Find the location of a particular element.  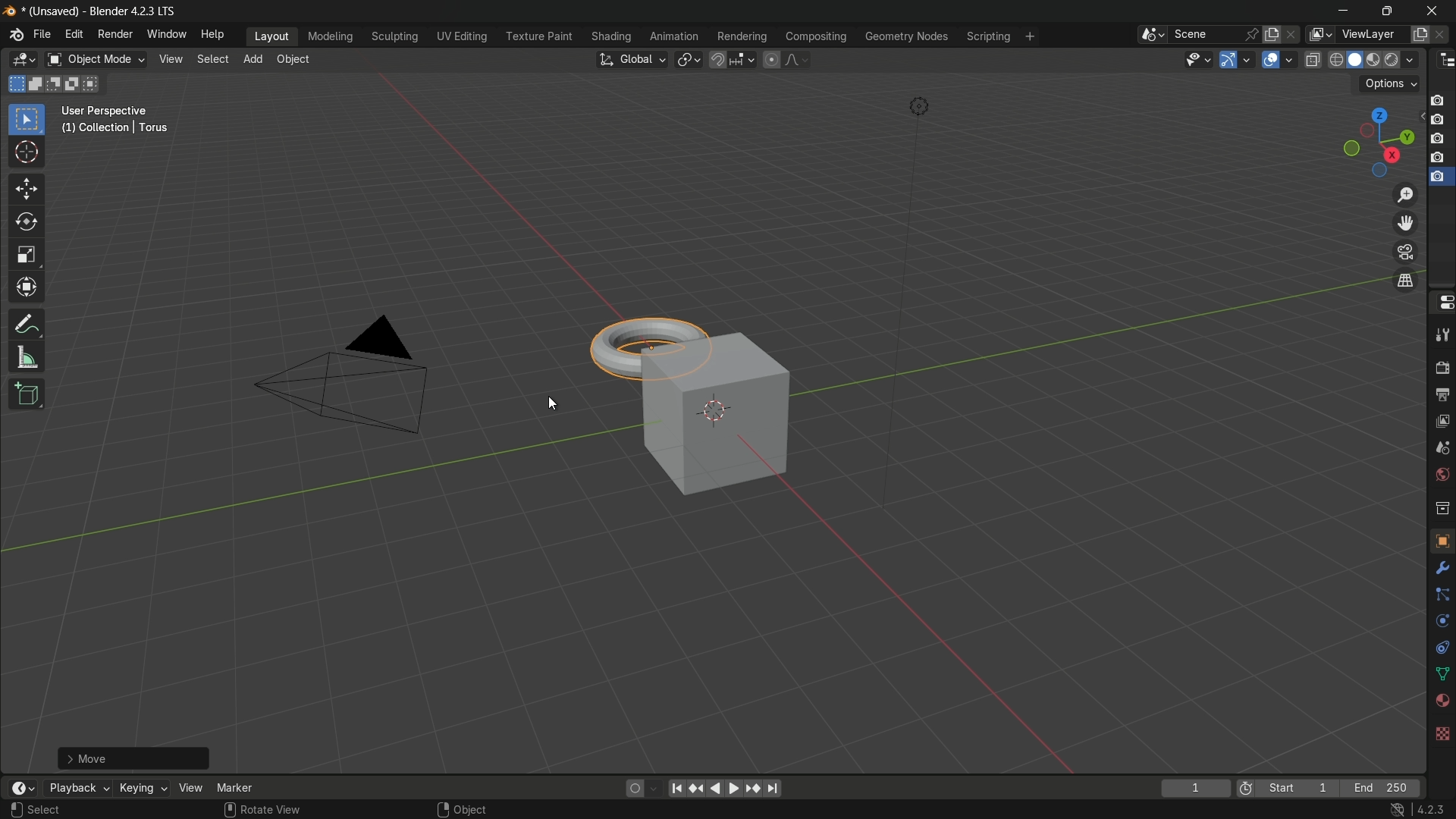

browse scenes is located at coordinates (1153, 35).